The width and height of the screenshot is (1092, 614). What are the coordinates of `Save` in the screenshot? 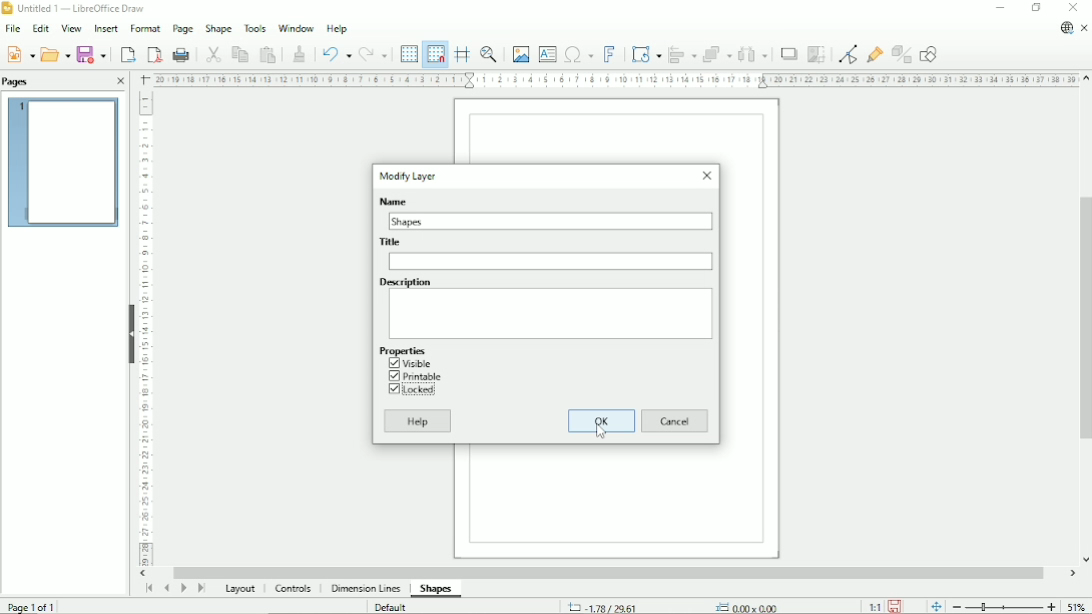 It's located at (93, 54).